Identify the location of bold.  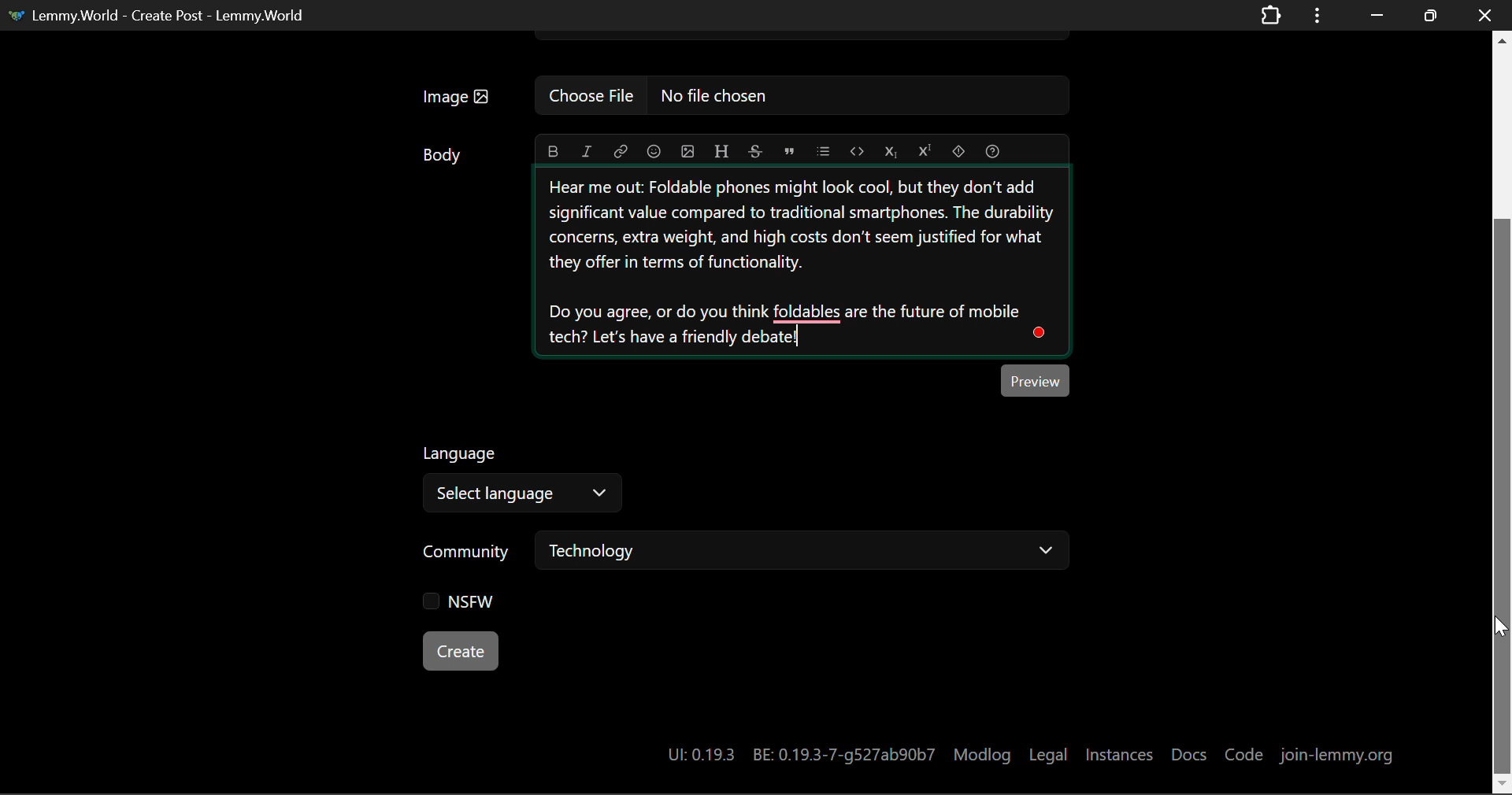
(552, 150).